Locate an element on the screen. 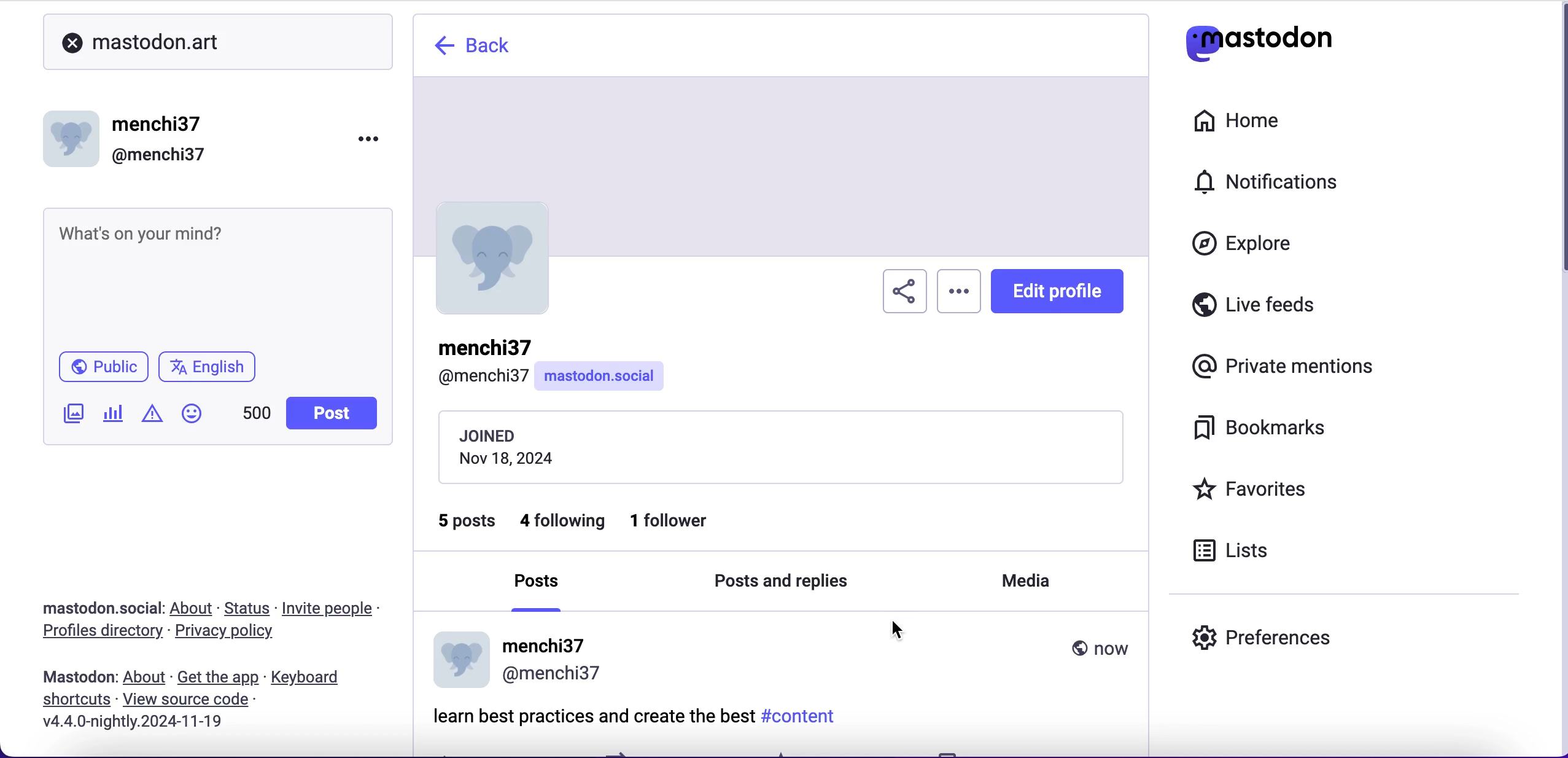 Image resolution: width=1568 pixels, height=758 pixels. 451 characters left is located at coordinates (257, 417).